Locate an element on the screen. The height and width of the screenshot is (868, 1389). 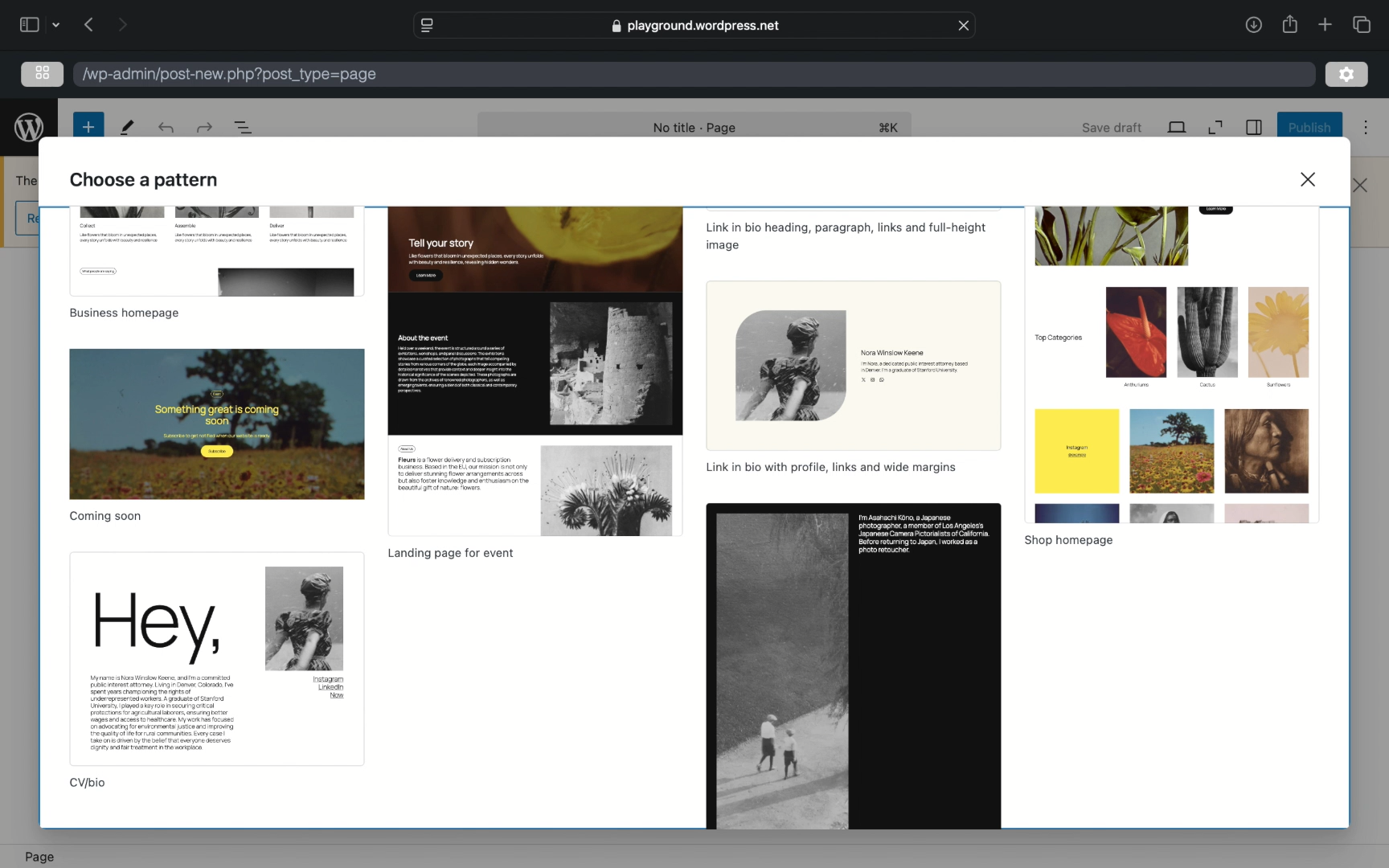
save draft is located at coordinates (1110, 127).